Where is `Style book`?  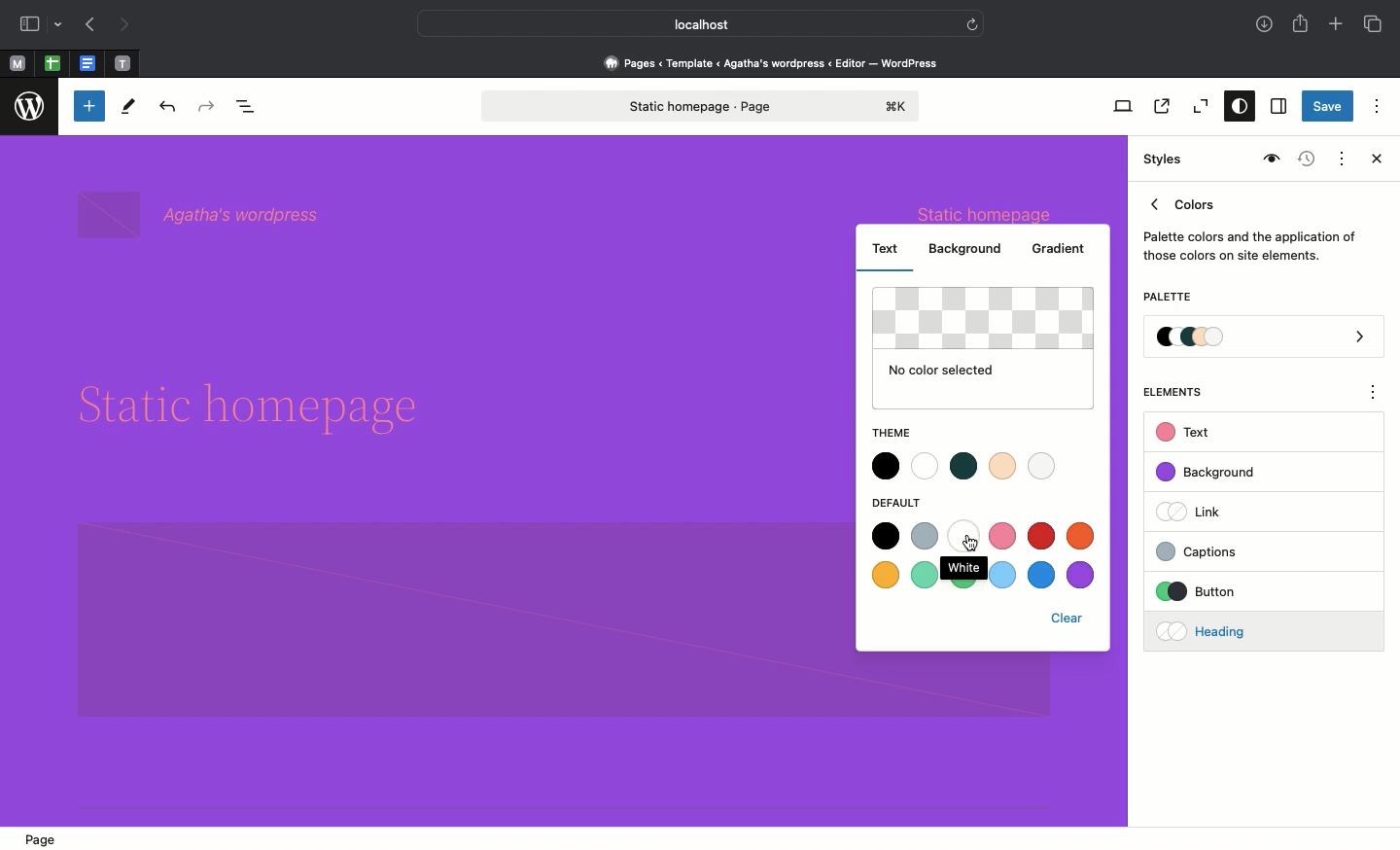
Style book is located at coordinates (1269, 159).